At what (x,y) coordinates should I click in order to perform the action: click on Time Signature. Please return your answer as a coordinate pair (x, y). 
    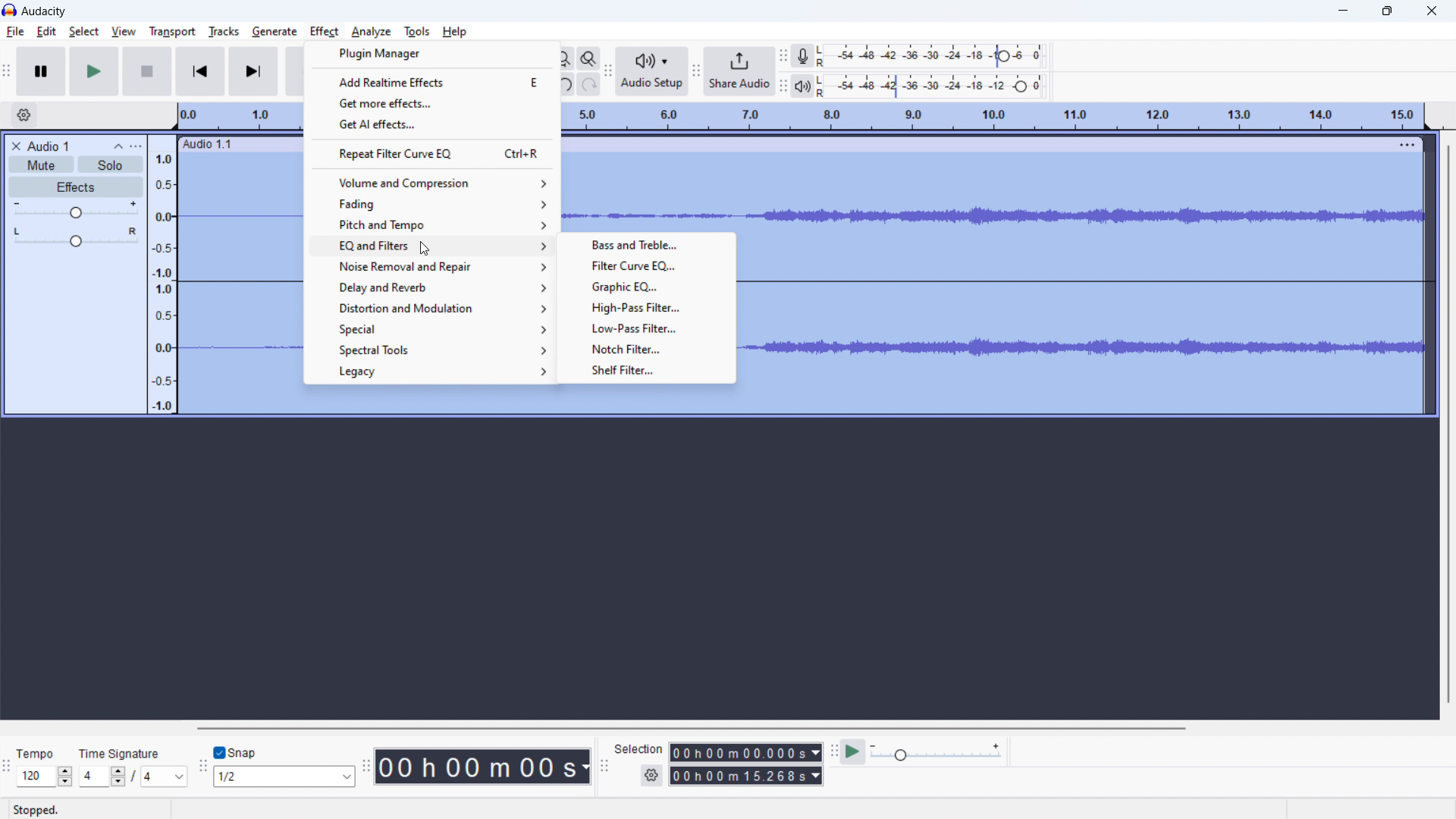
    Looking at the image, I should click on (121, 750).